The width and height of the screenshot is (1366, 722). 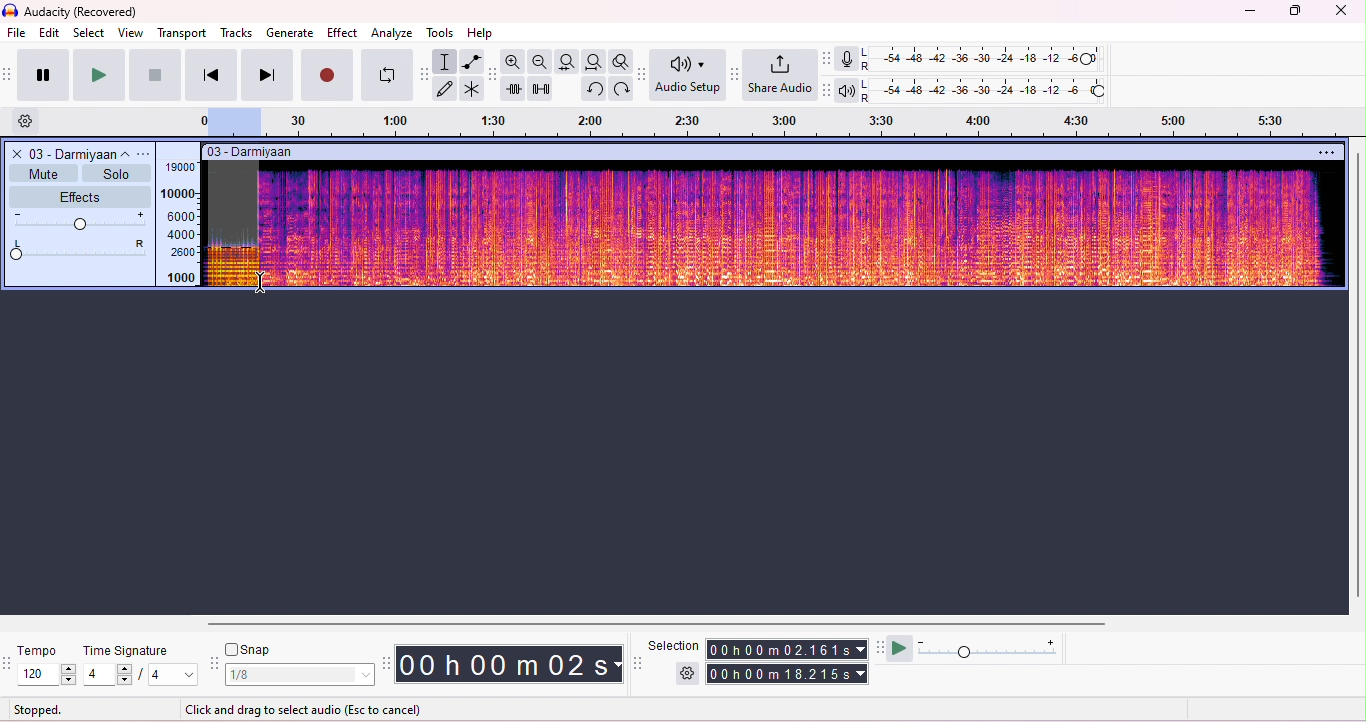 What do you see at coordinates (593, 62) in the screenshot?
I see `fit project to width` at bounding box center [593, 62].